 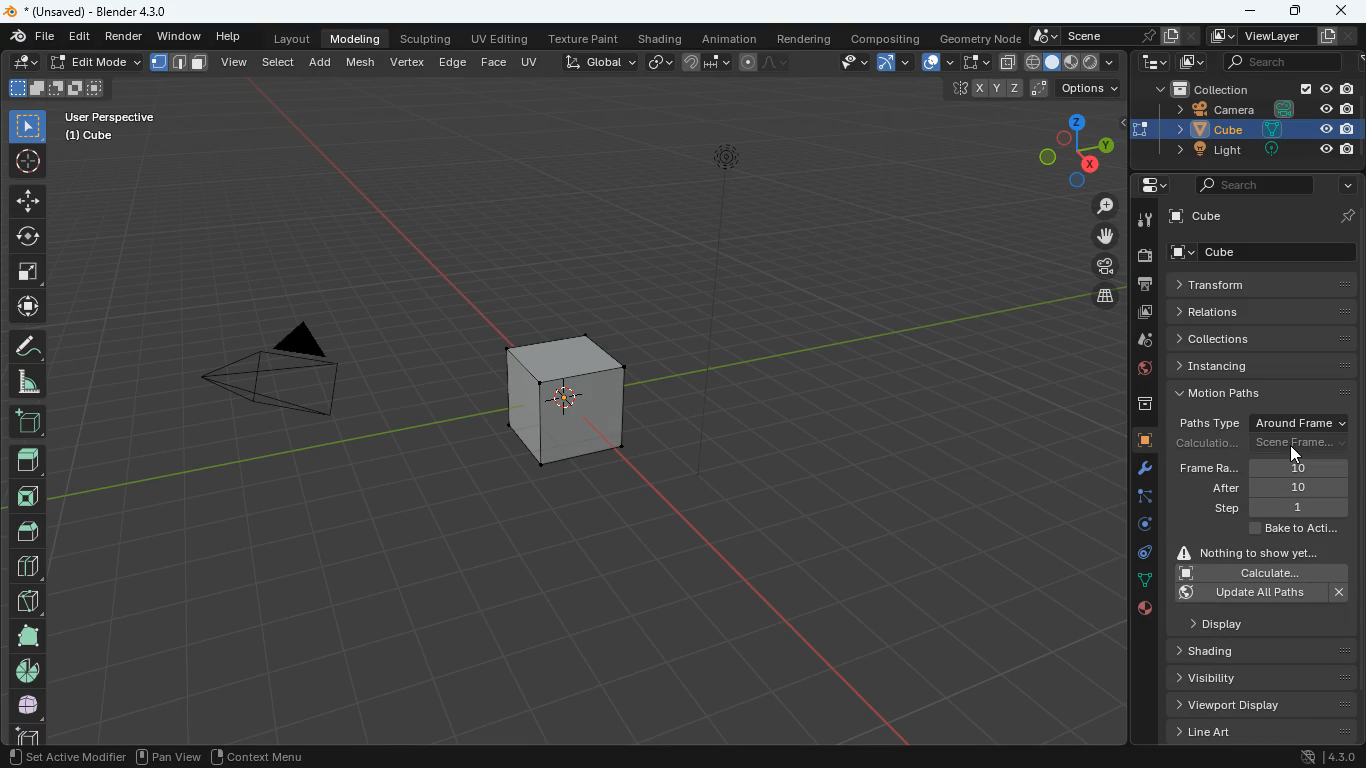 I want to click on view, so click(x=845, y=63).